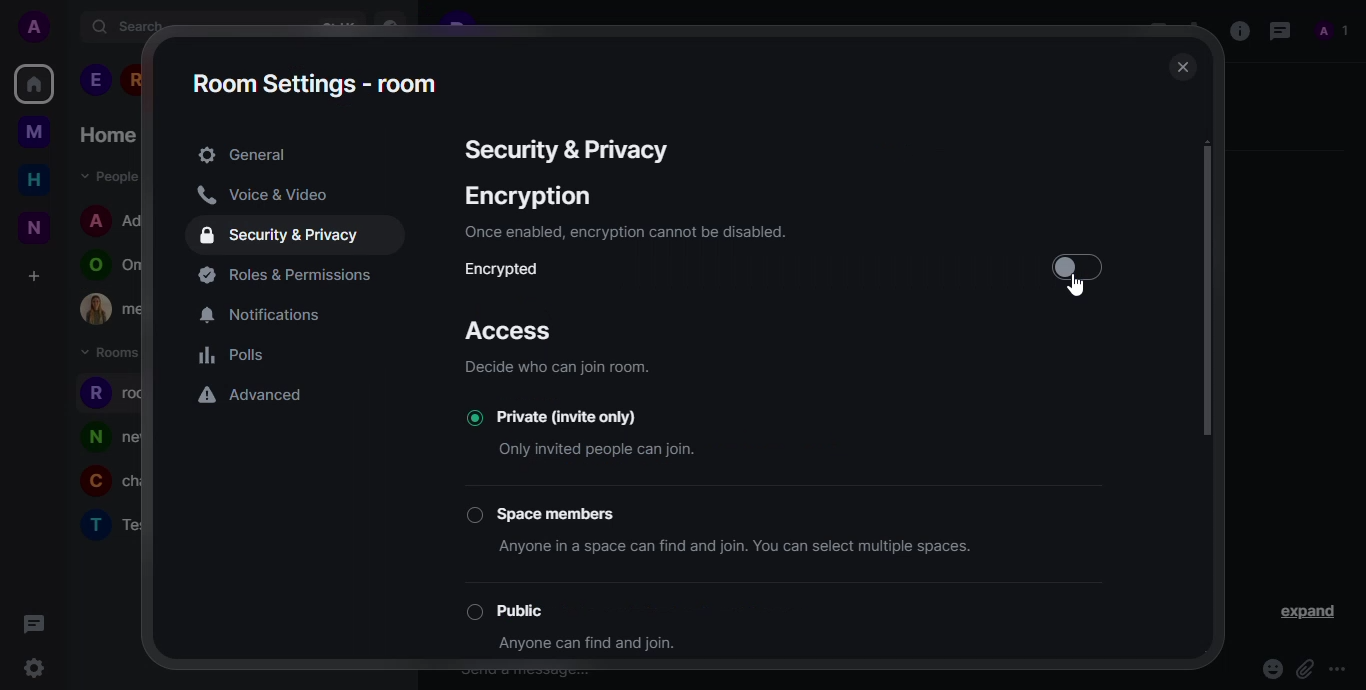  I want to click on security, so click(563, 150).